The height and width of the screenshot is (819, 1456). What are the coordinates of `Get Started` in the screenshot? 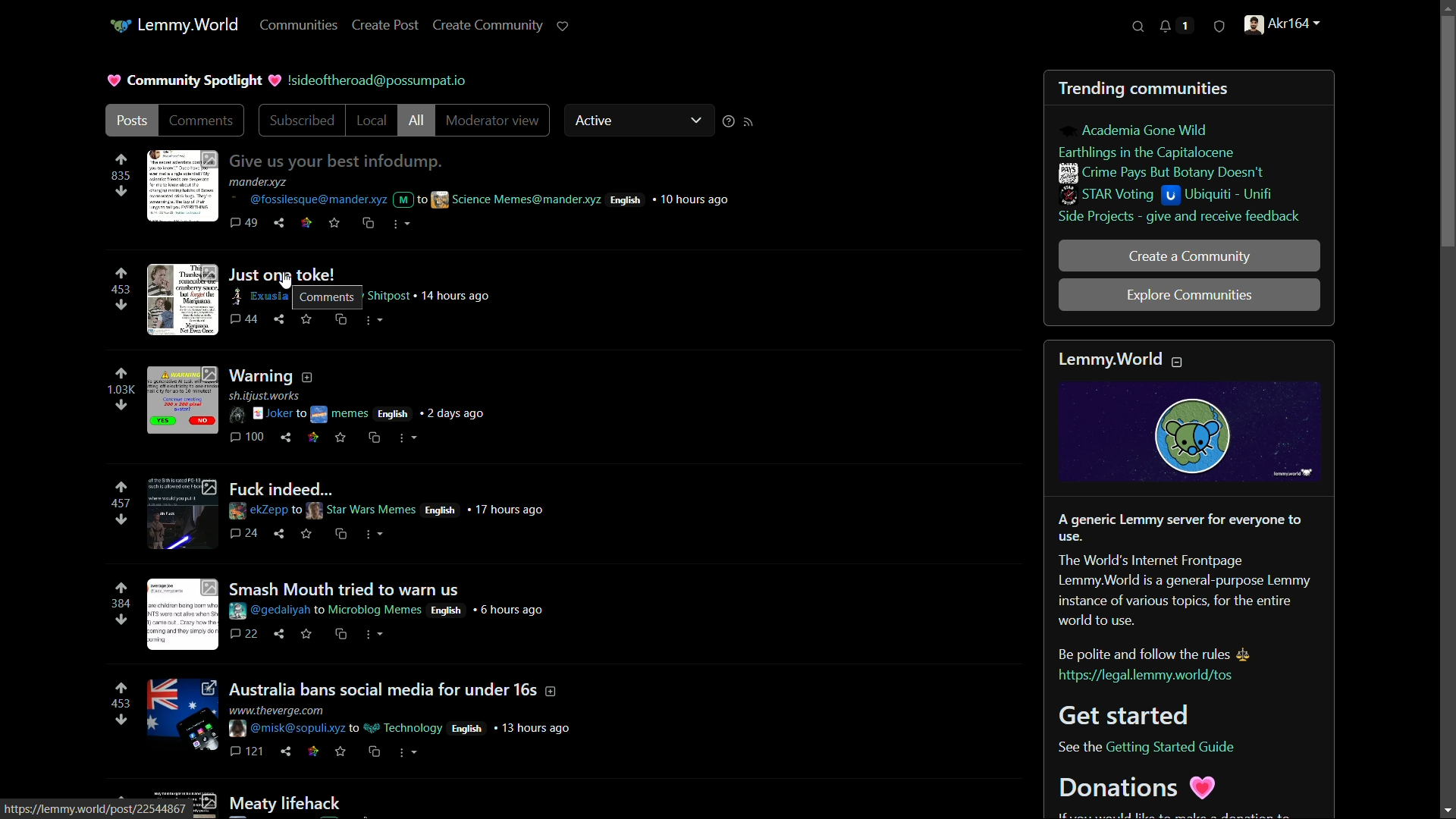 It's located at (1125, 715).